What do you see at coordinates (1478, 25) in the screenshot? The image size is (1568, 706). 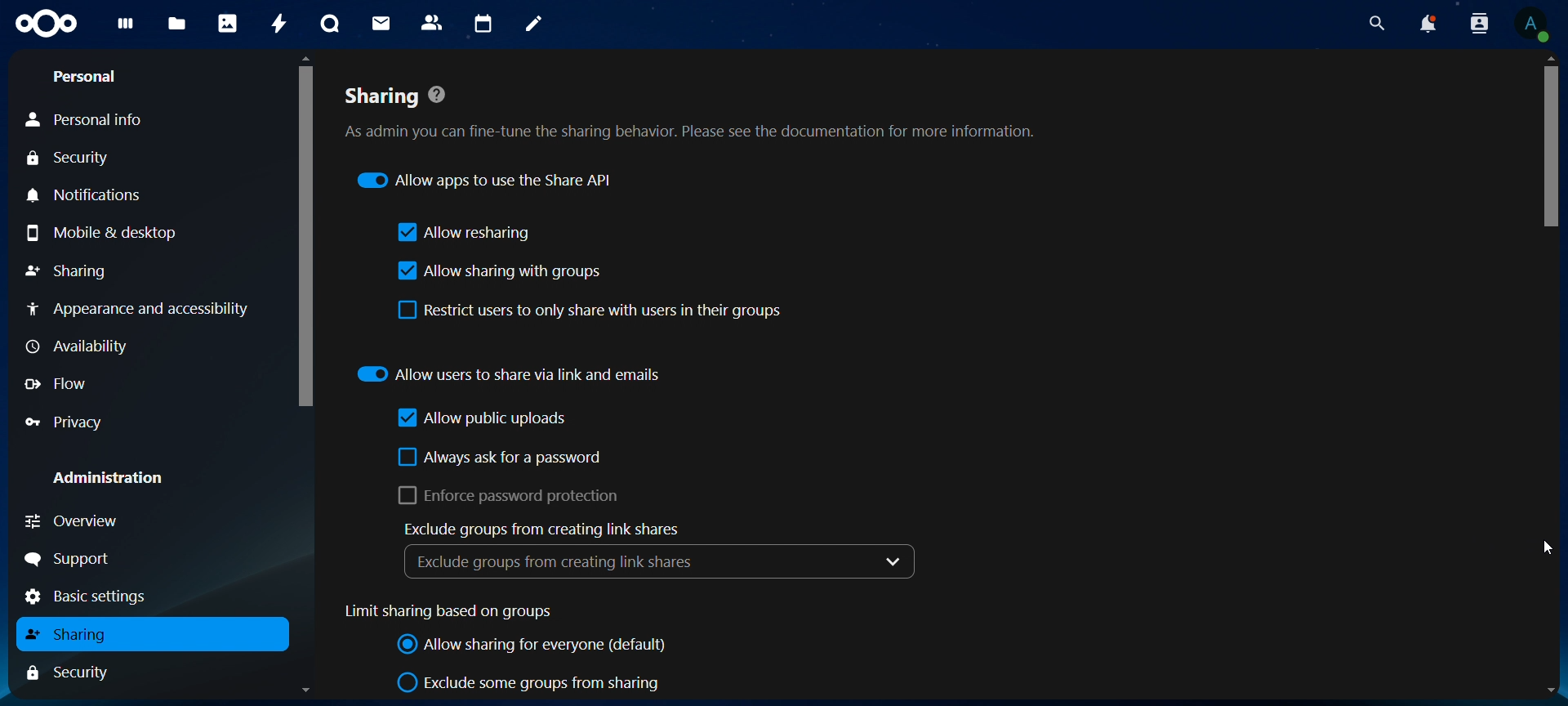 I see `search contacts` at bounding box center [1478, 25].